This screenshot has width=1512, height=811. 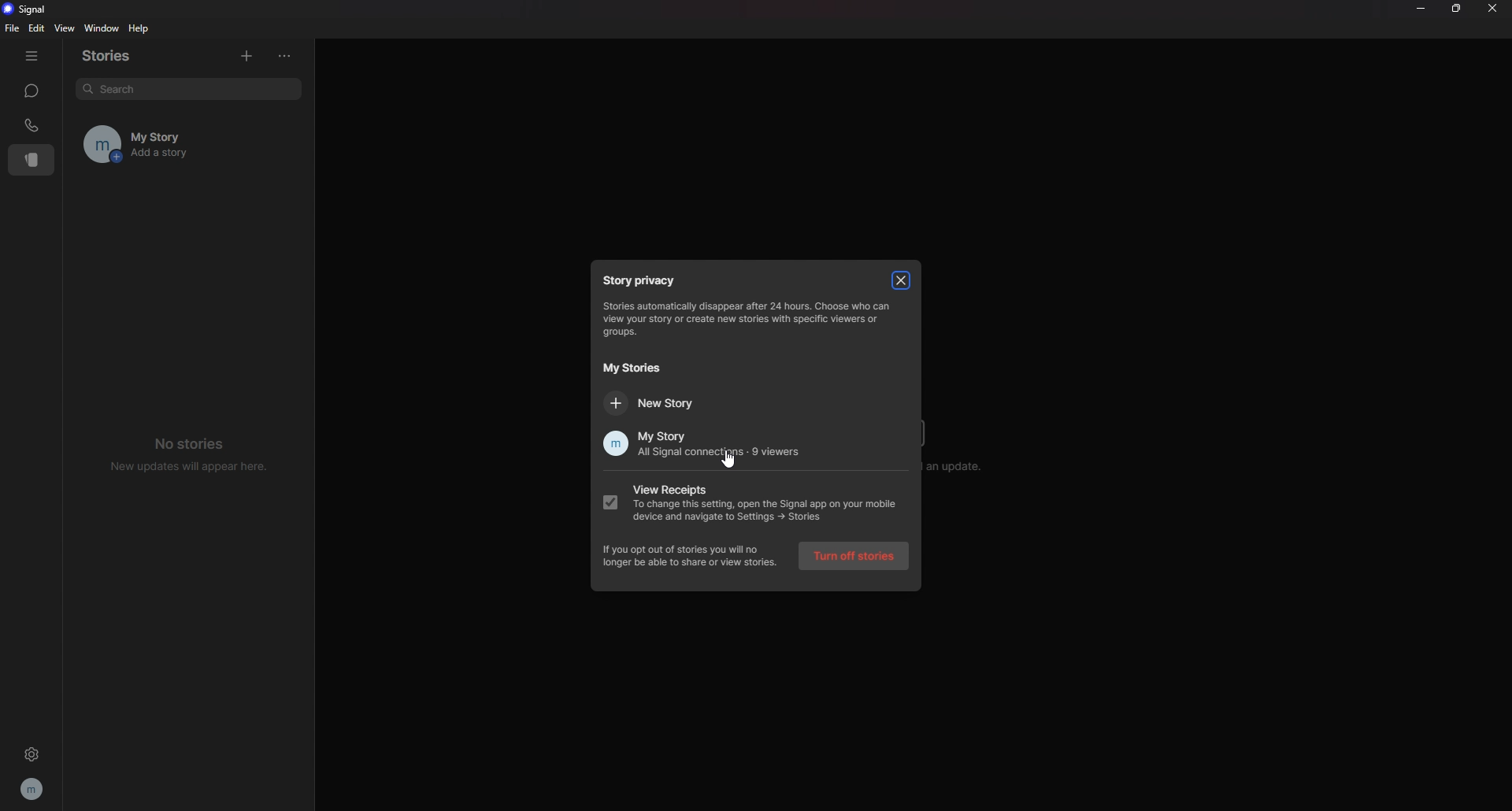 What do you see at coordinates (699, 445) in the screenshot?
I see `my story all signal connections 9 viewers` at bounding box center [699, 445].